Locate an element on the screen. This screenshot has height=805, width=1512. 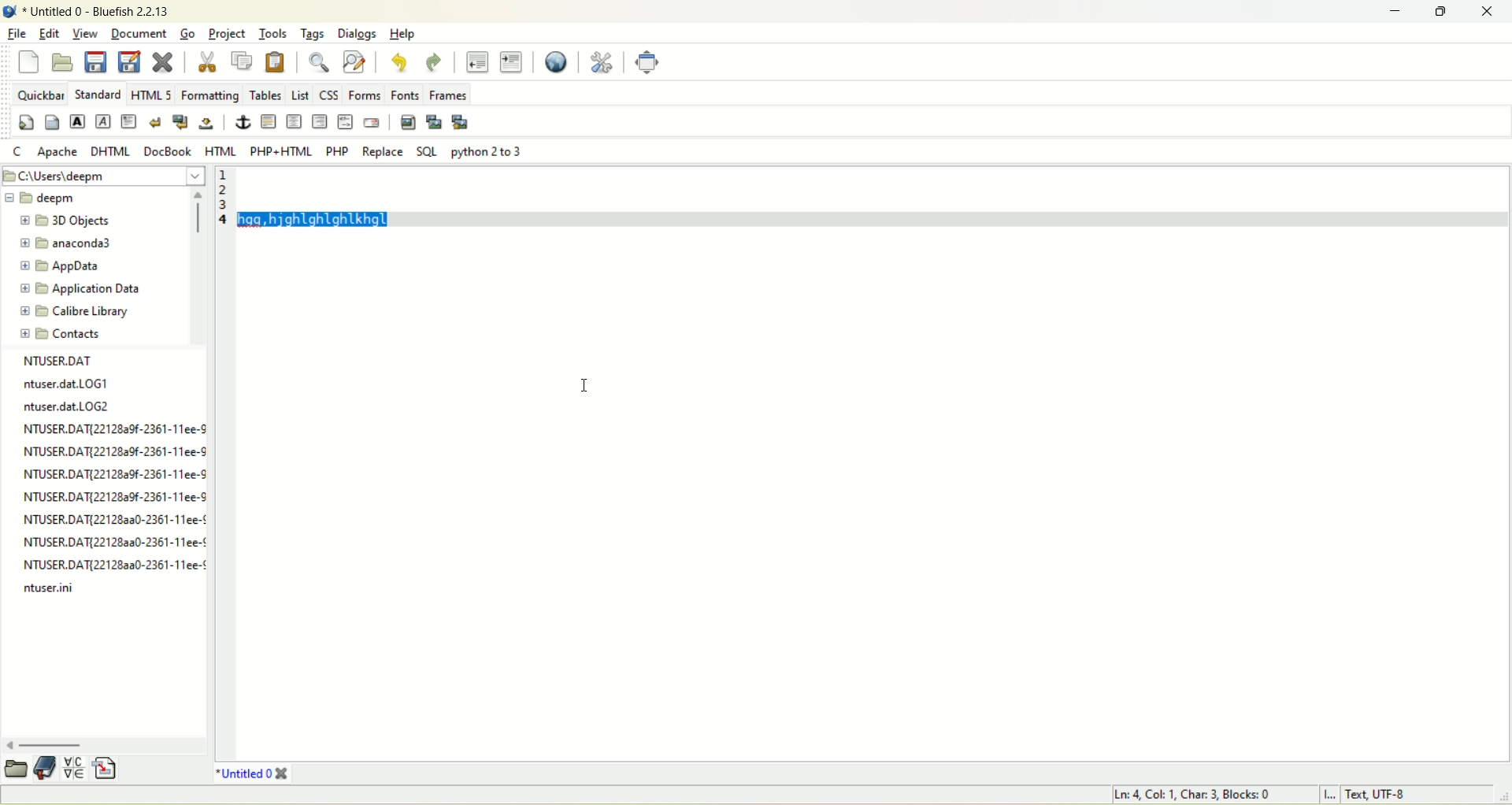
undo is located at coordinates (398, 62).